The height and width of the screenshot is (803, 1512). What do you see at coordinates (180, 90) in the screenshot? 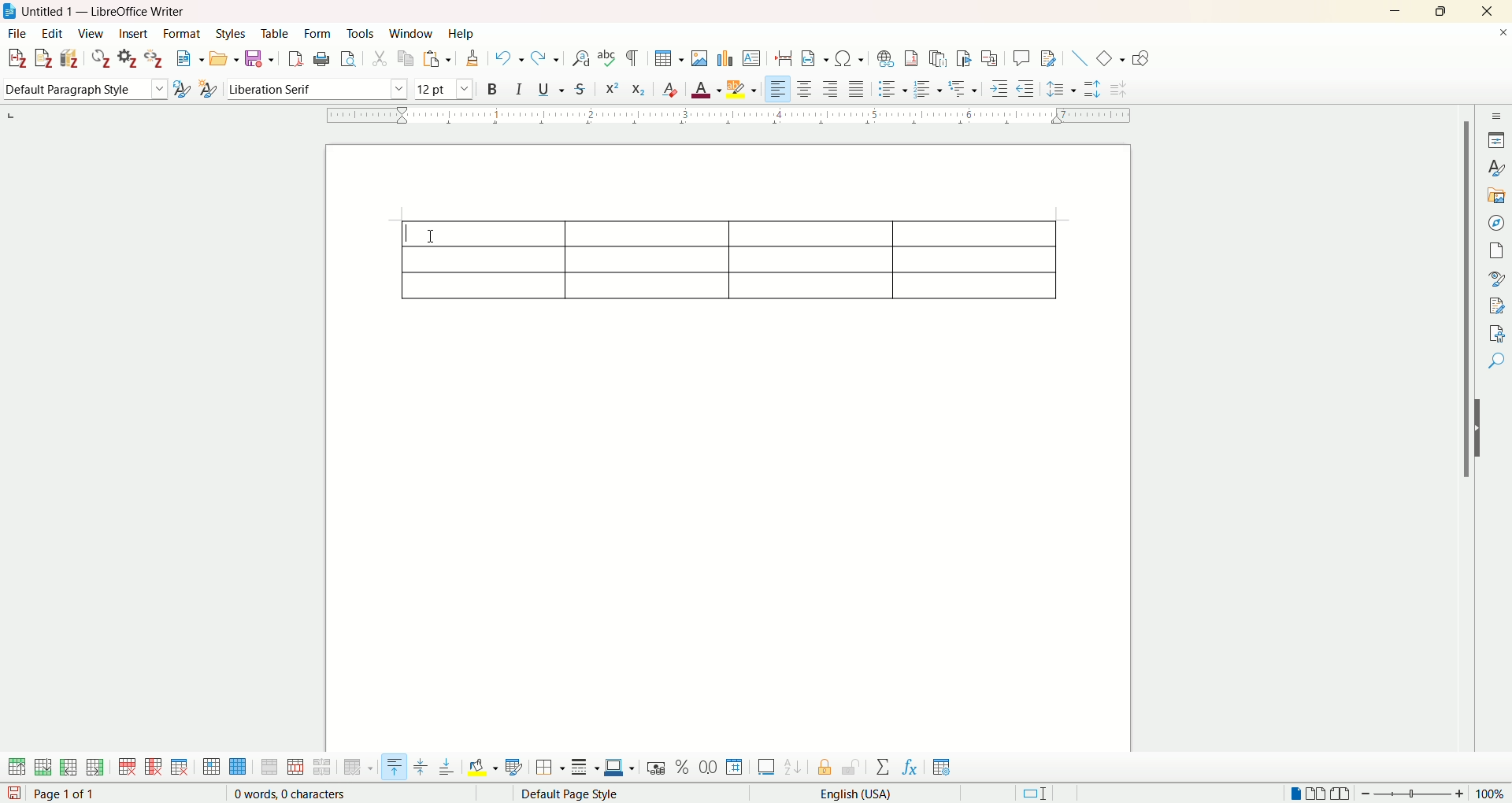
I see `update selected style` at bounding box center [180, 90].